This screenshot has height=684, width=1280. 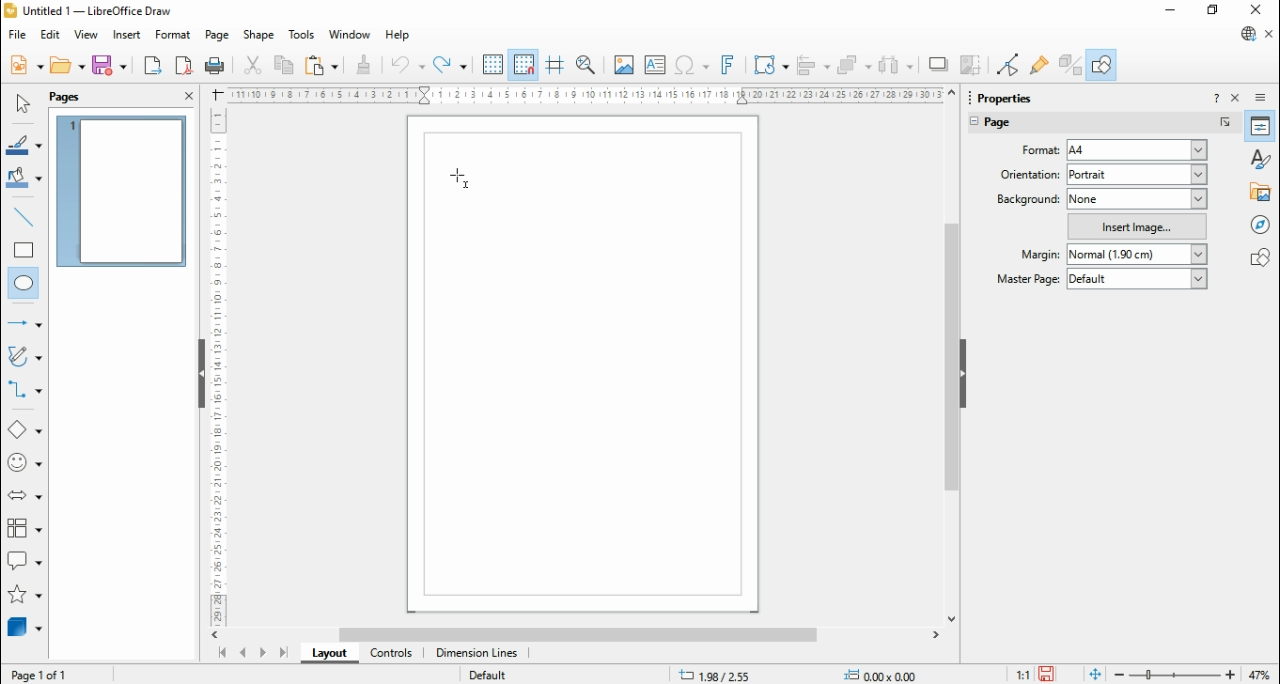 What do you see at coordinates (25, 432) in the screenshot?
I see `basic shapes` at bounding box center [25, 432].